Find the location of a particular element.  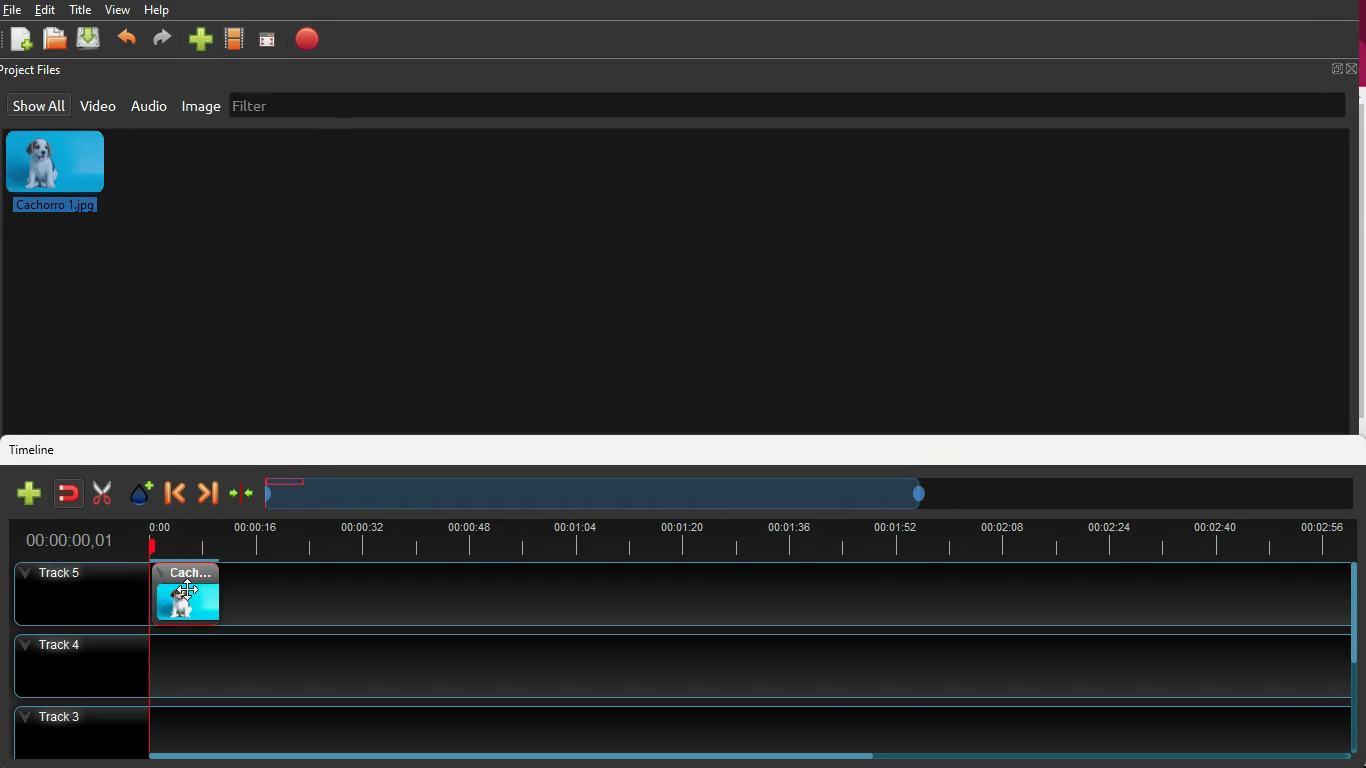

forward is located at coordinates (207, 493).